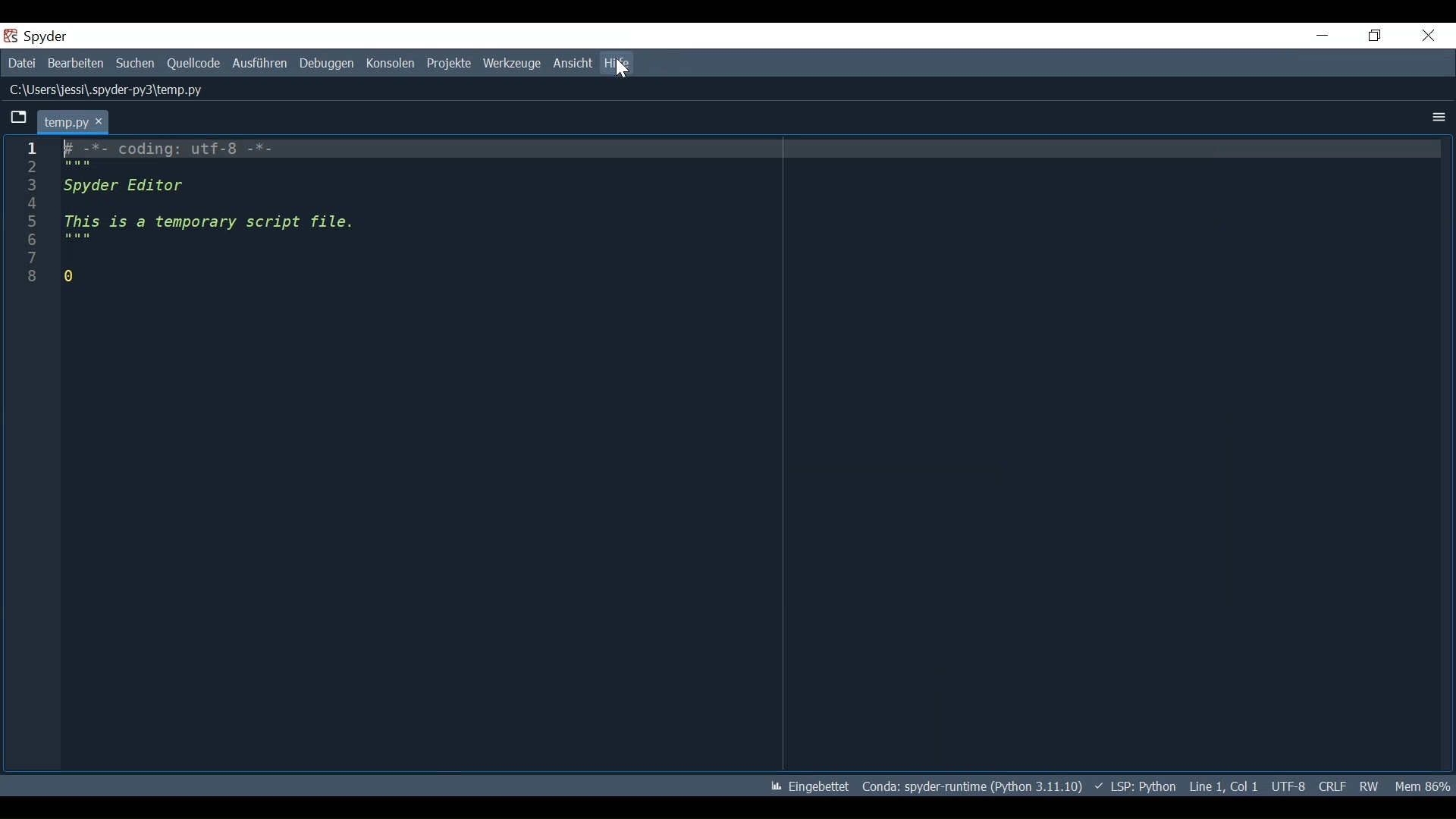 The image size is (1456, 819). Describe the element at coordinates (74, 121) in the screenshot. I see `temp.py` at that location.